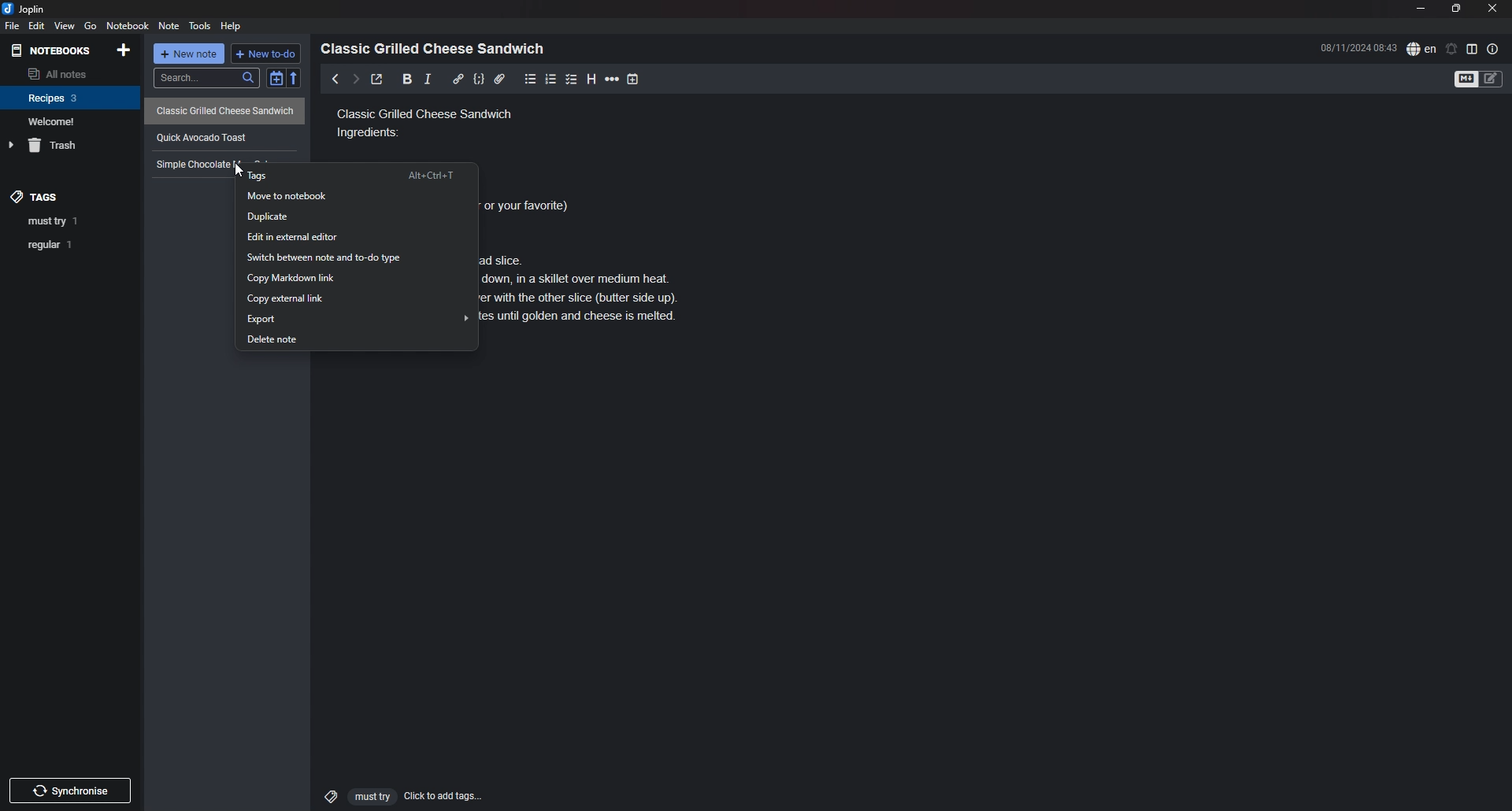 Image resolution: width=1512 pixels, height=811 pixels. What do you see at coordinates (531, 79) in the screenshot?
I see `bullet list` at bounding box center [531, 79].